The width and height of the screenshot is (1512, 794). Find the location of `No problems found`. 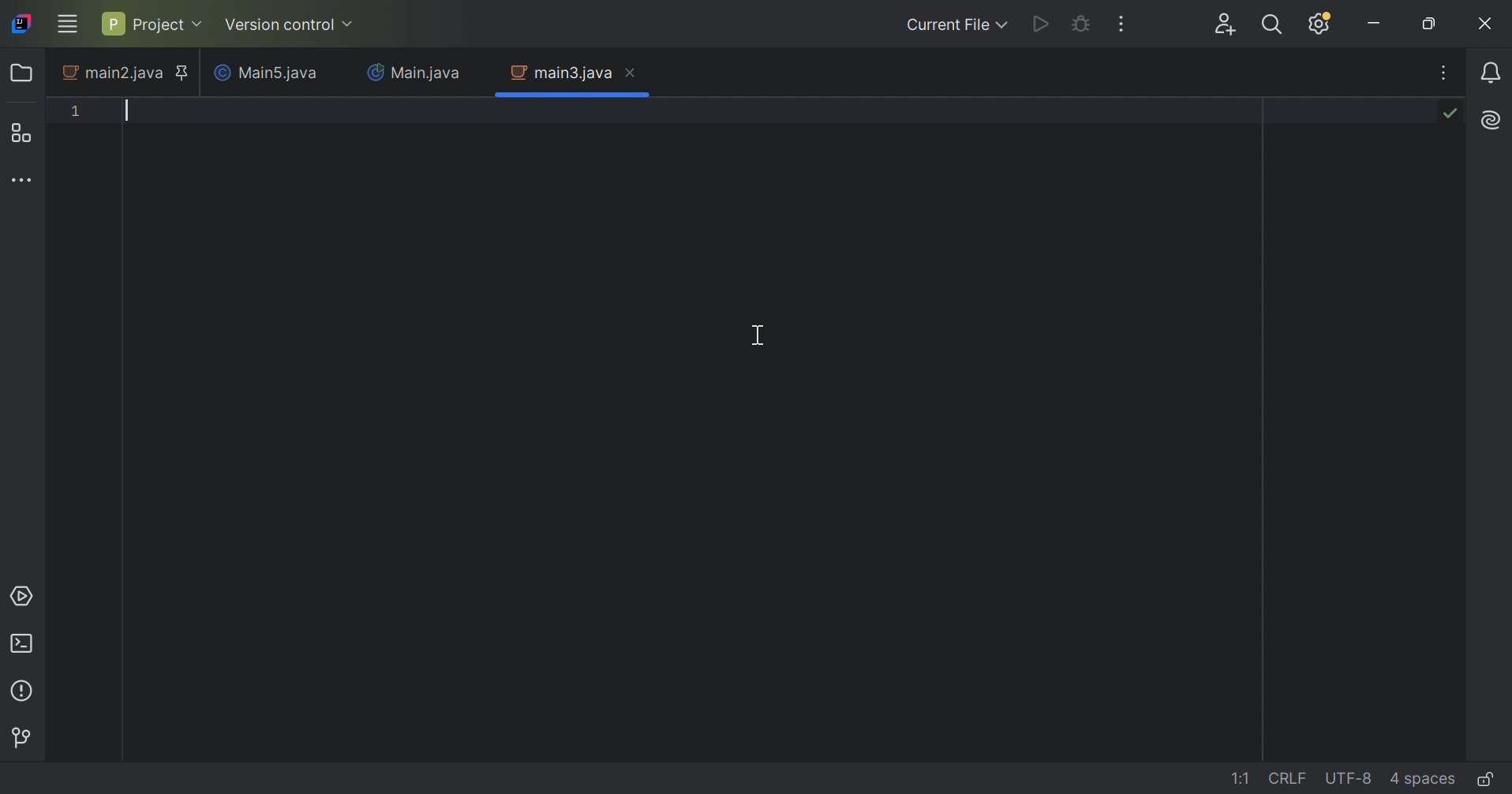

No problems found is located at coordinates (1450, 114).